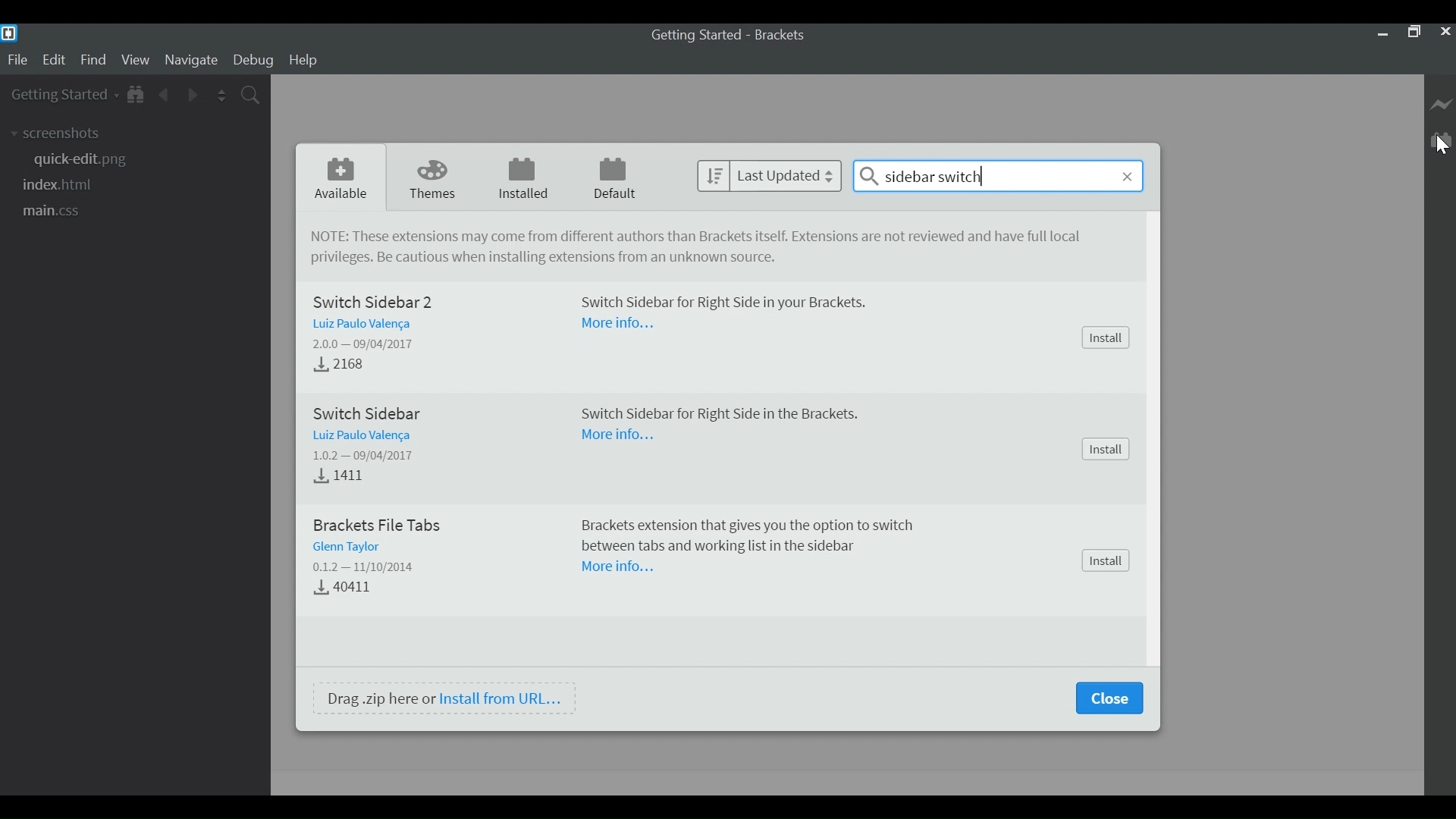  What do you see at coordinates (342, 176) in the screenshot?
I see `Available` at bounding box center [342, 176].